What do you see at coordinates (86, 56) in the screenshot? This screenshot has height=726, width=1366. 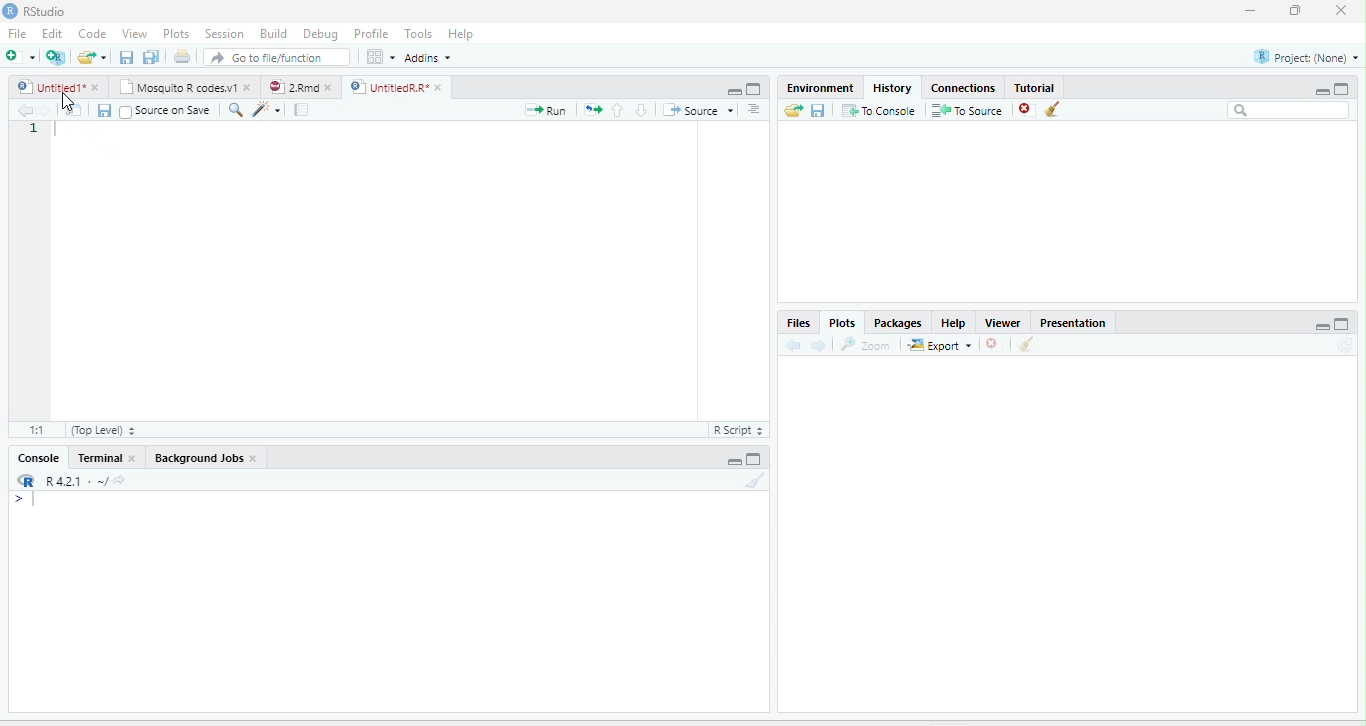 I see `Open an existing file` at bounding box center [86, 56].